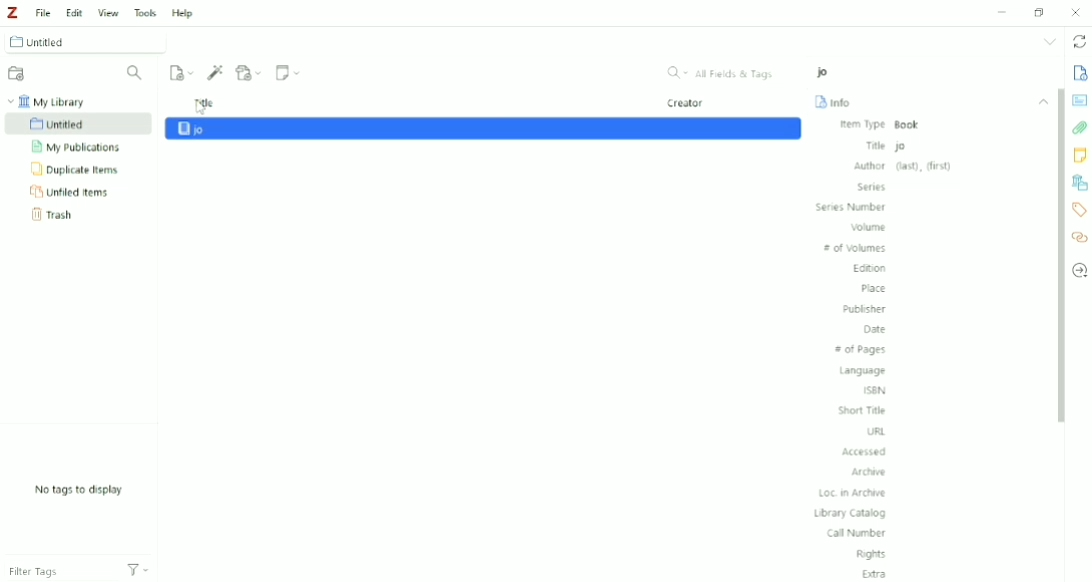  Describe the element at coordinates (1044, 102) in the screenshot. I see `Collapse section` at that location.